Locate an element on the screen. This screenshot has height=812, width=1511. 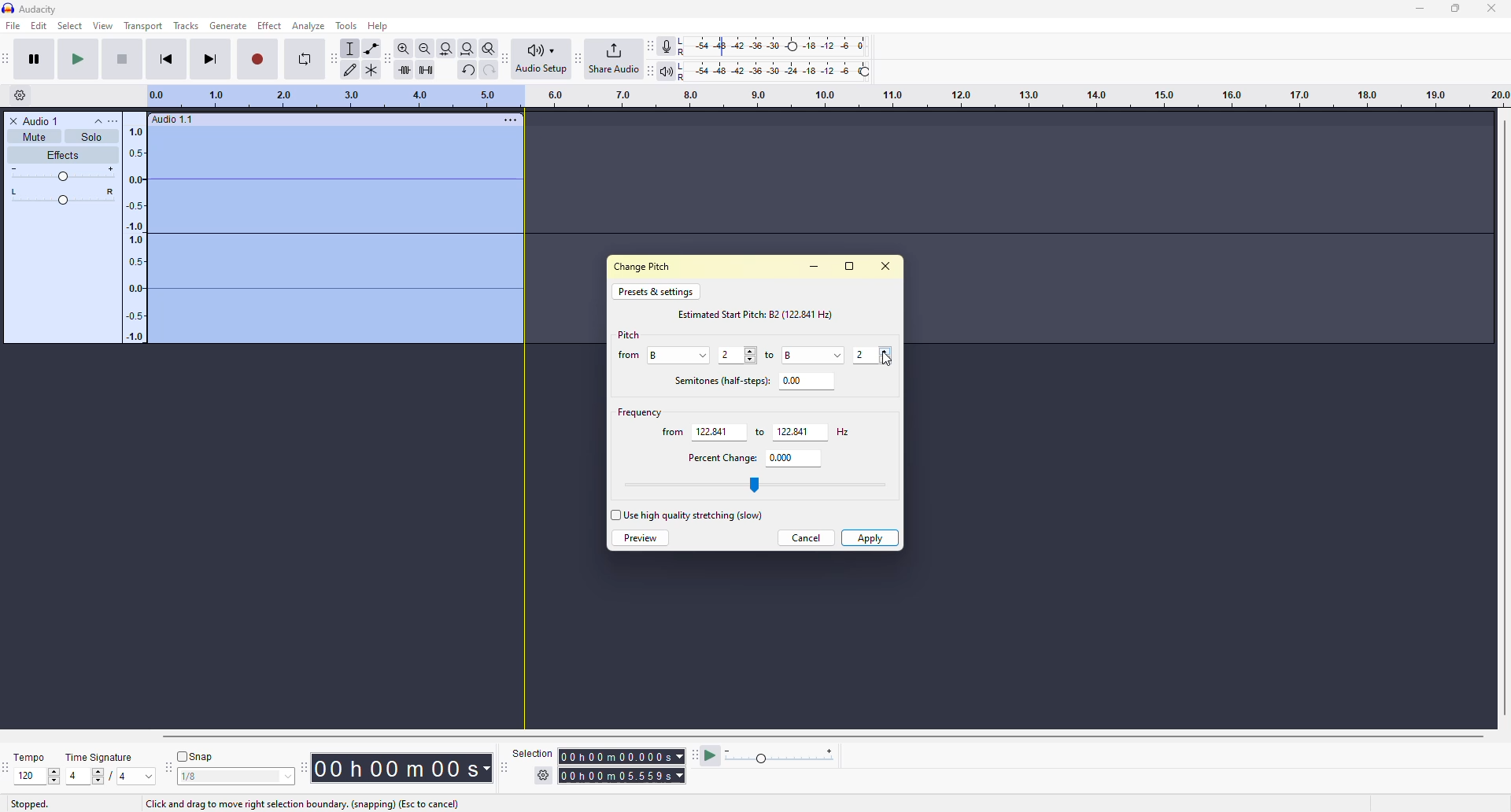
drop down is located at coordinates (837, 354).